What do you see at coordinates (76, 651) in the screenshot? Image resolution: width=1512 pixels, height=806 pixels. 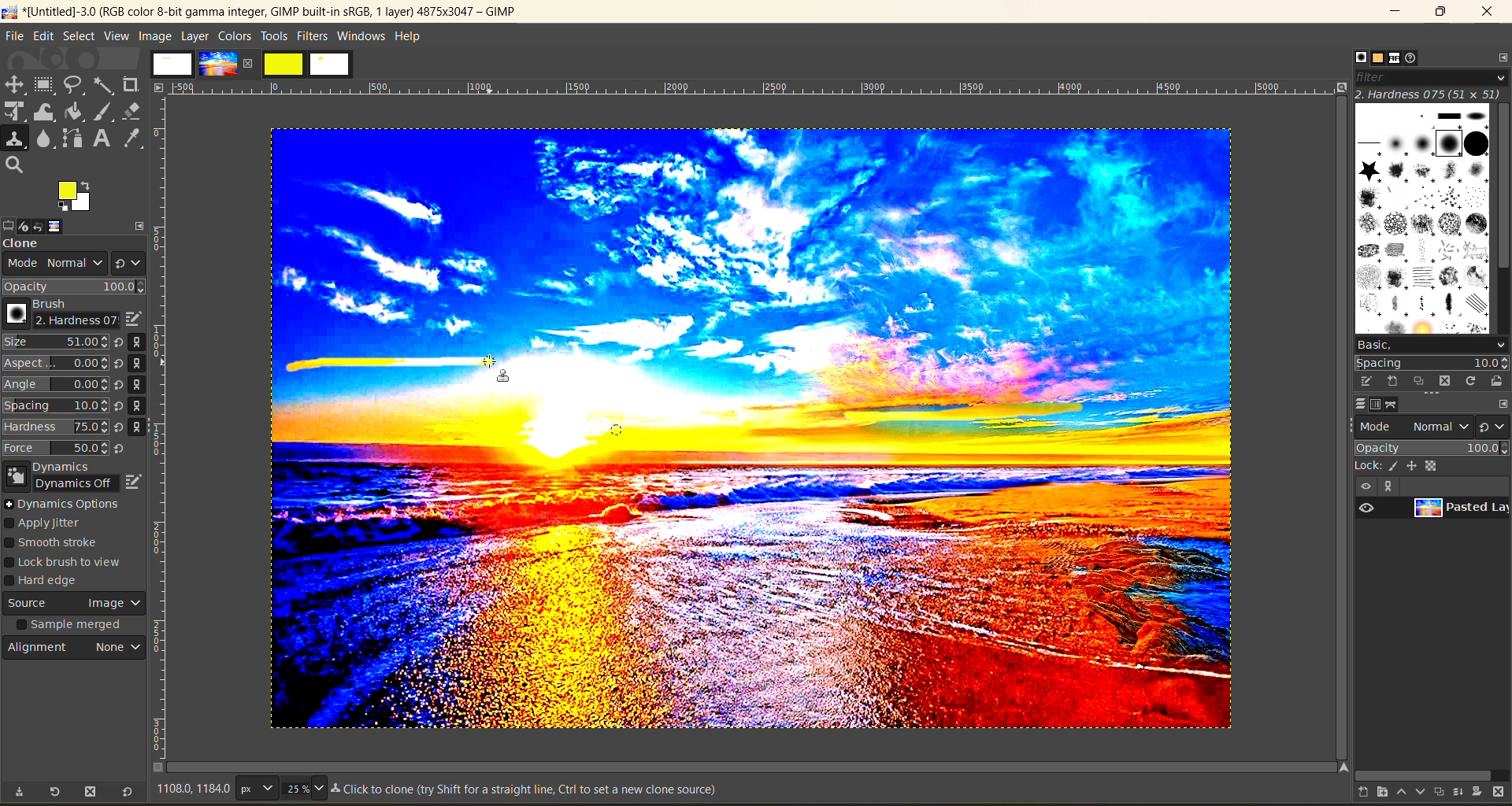 I see `alignment` at bounding box center [76, 651].